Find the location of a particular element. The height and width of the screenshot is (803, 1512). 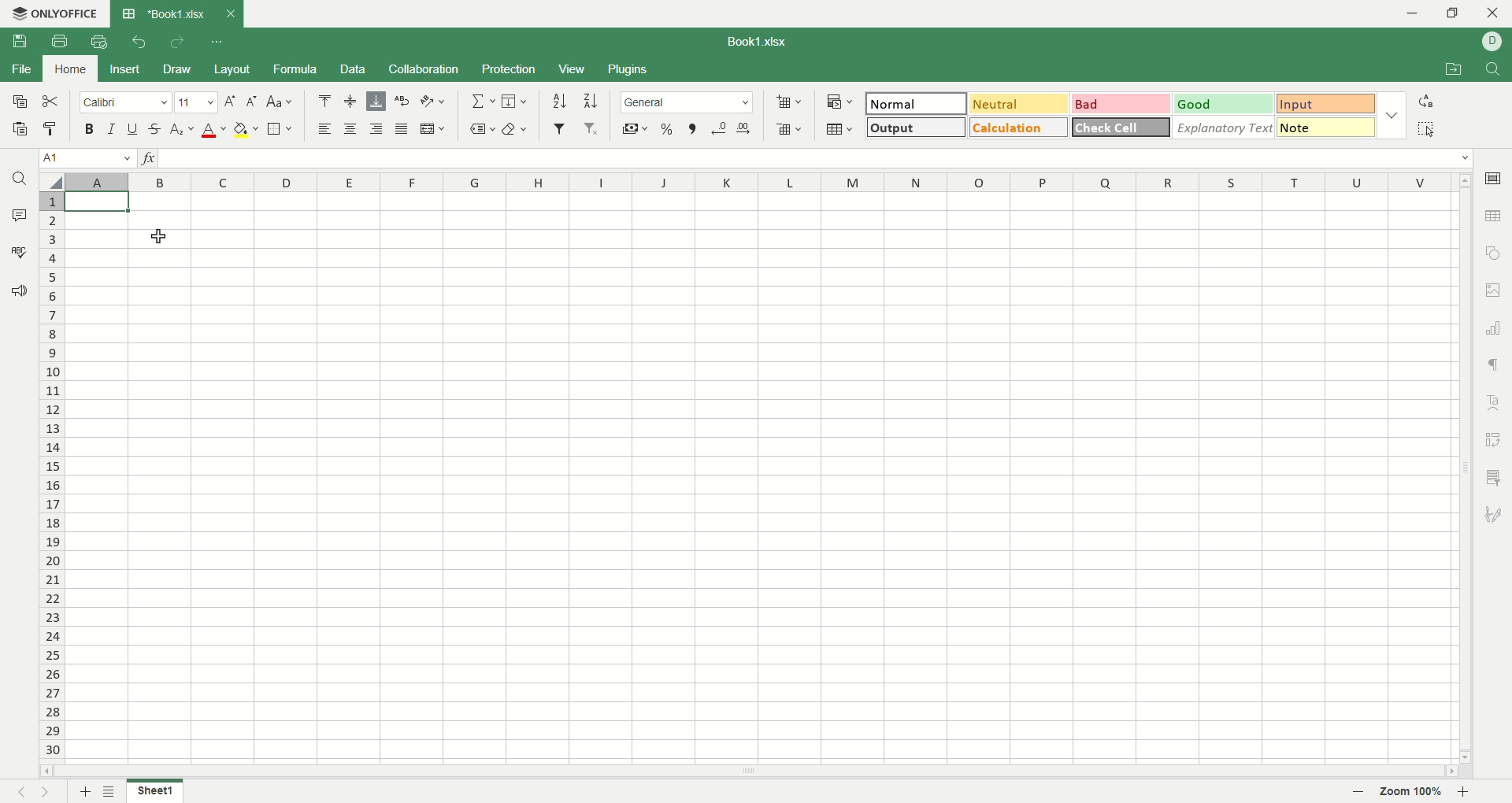

open file location is located at coordinates (1456, 70).